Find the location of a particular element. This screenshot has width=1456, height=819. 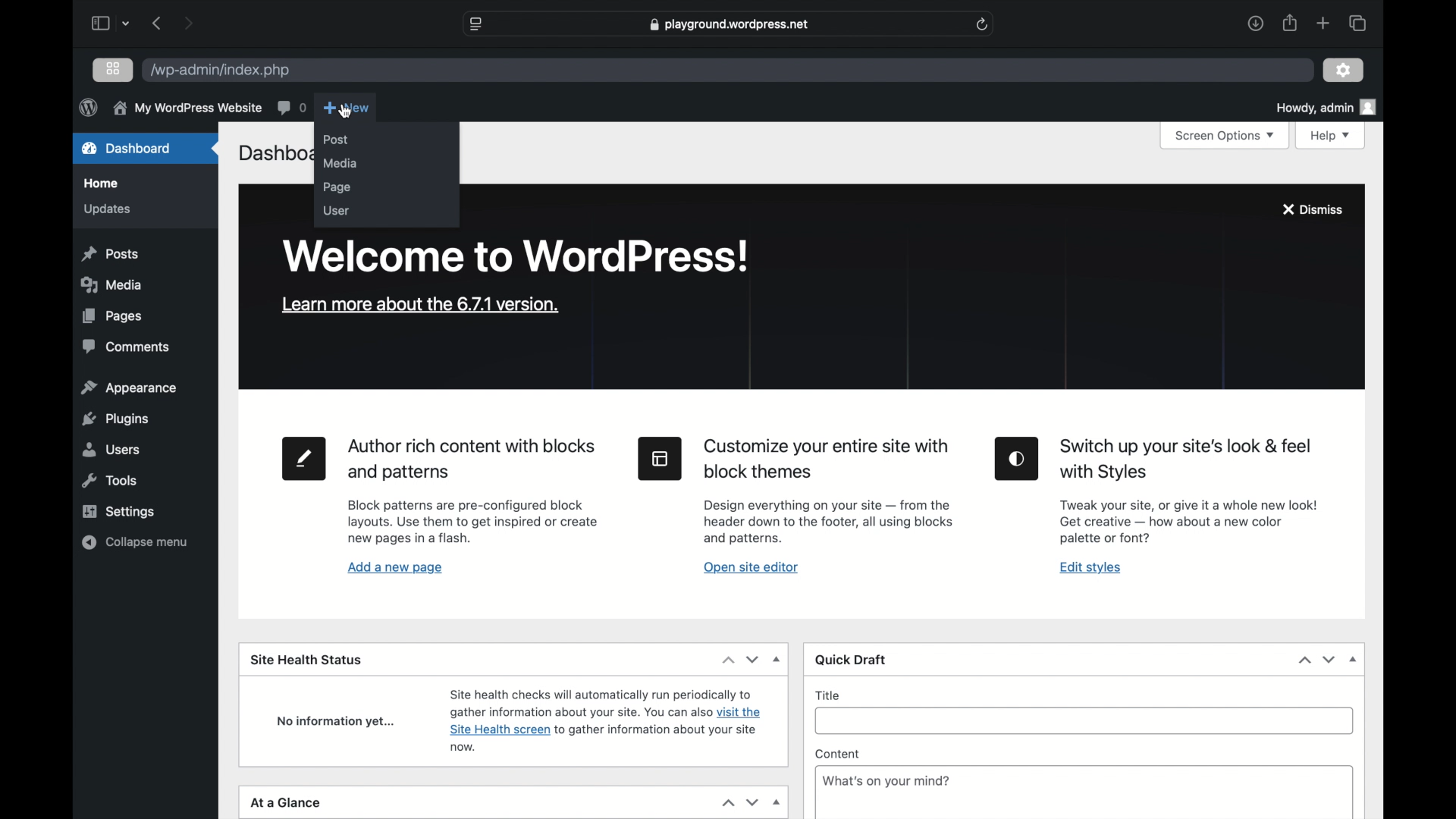

home is located at coordinates (99, 184).